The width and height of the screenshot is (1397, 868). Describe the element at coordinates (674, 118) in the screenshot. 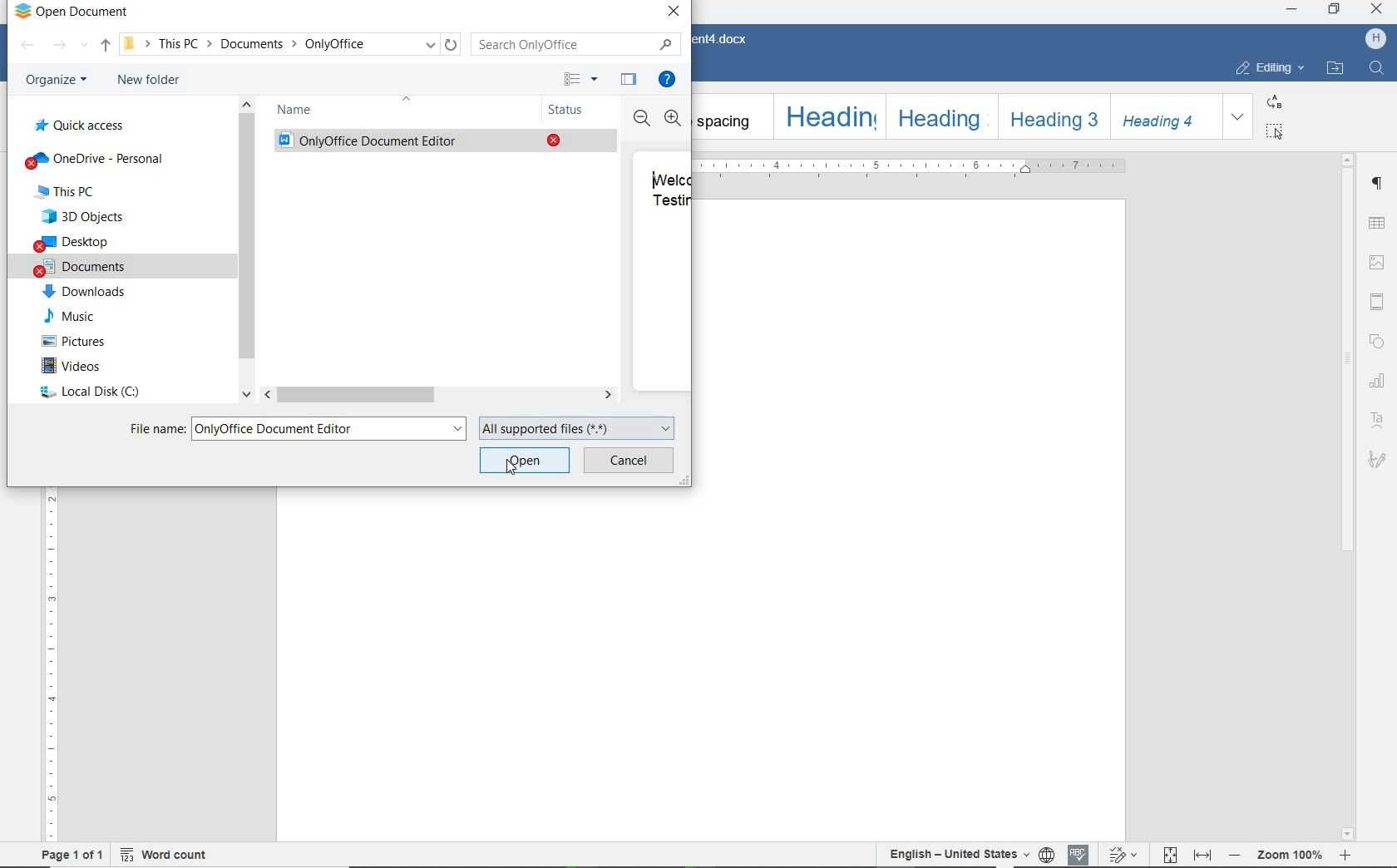

I see `Zoom in` at that location.